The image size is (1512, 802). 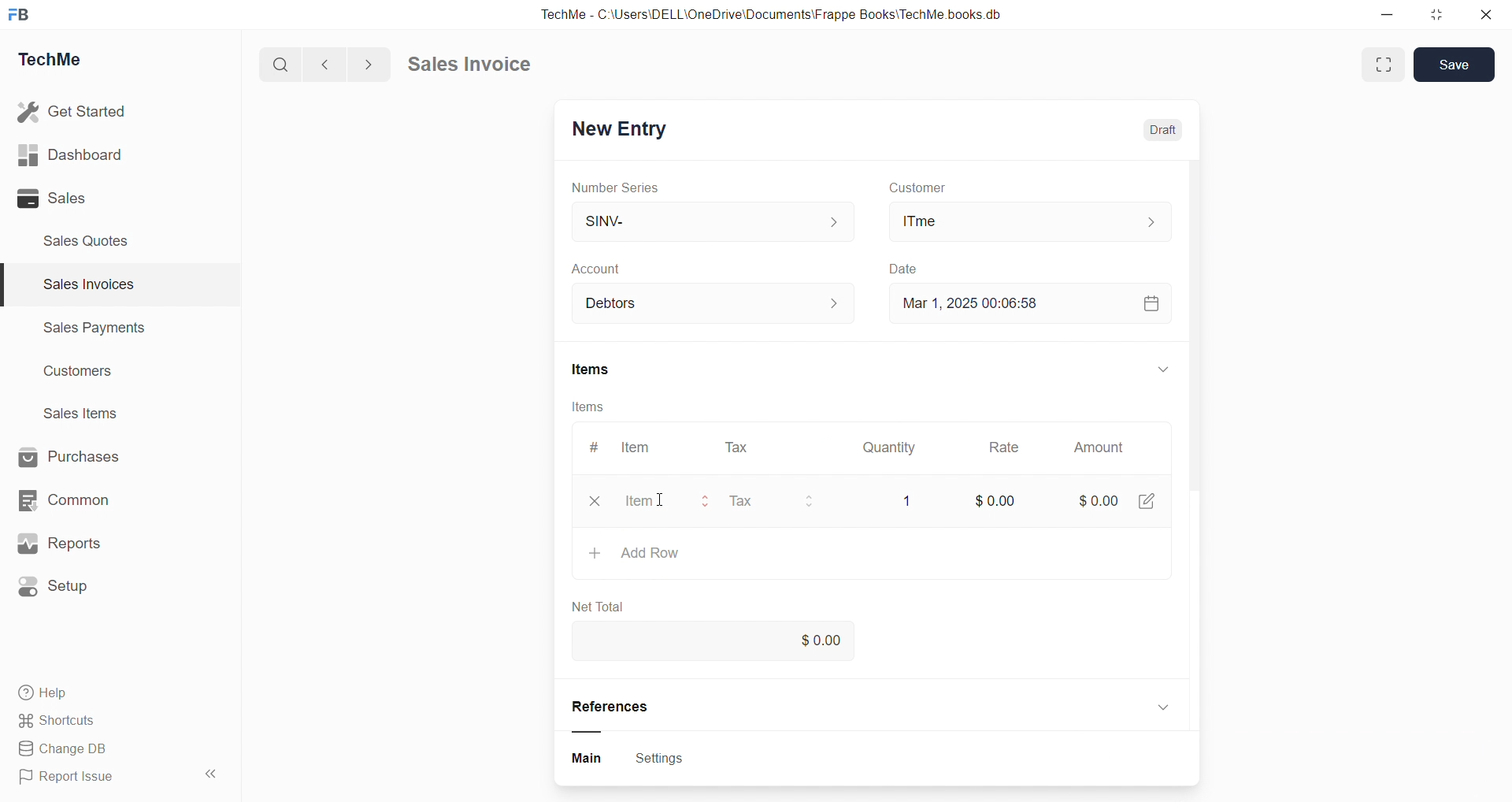 What do you see at coordinates (212, 771) in the screenshot?
I see `«` at bounding box center [212, 771].